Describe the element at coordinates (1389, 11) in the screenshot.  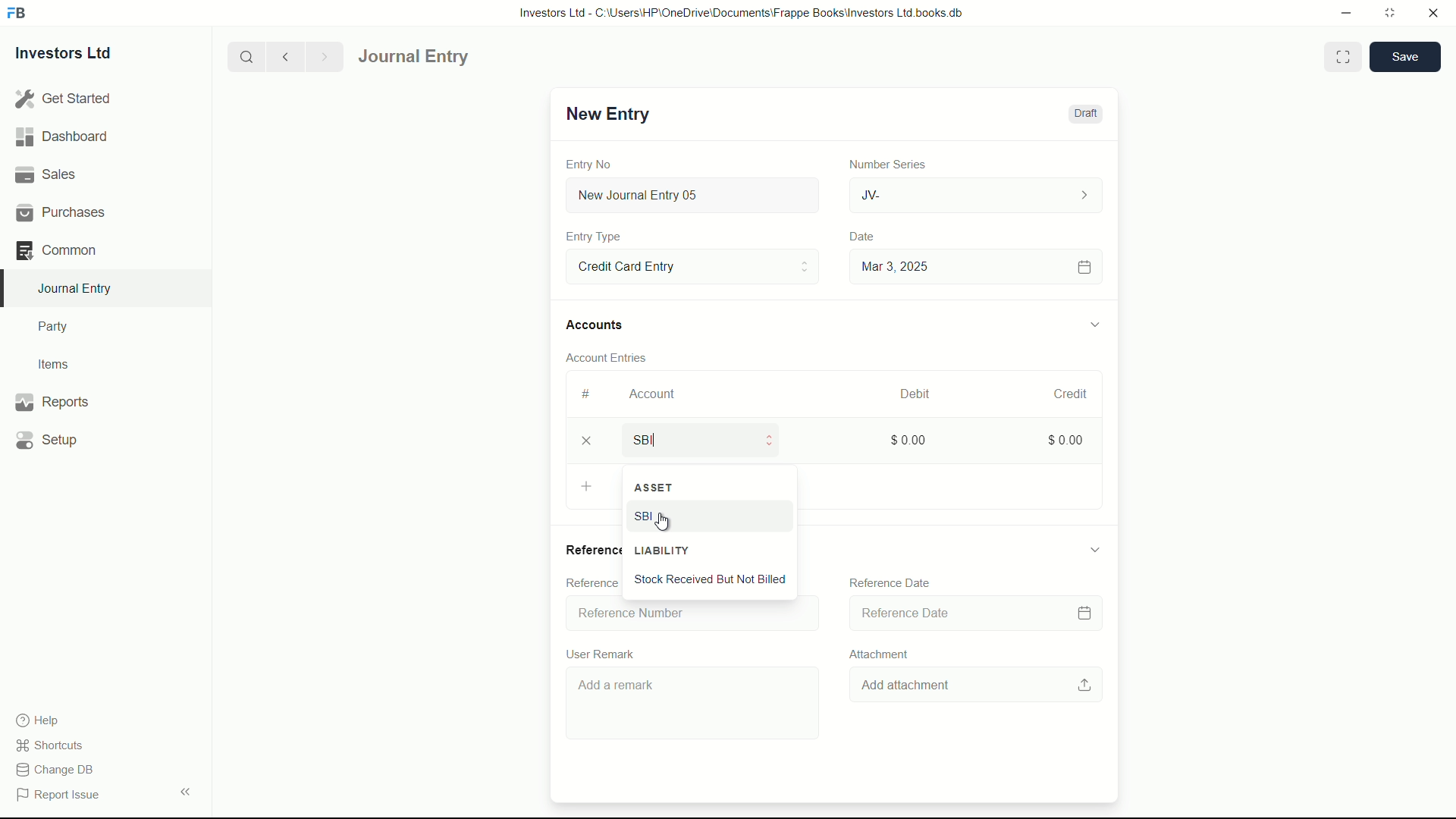
I see `maximize` at that location.